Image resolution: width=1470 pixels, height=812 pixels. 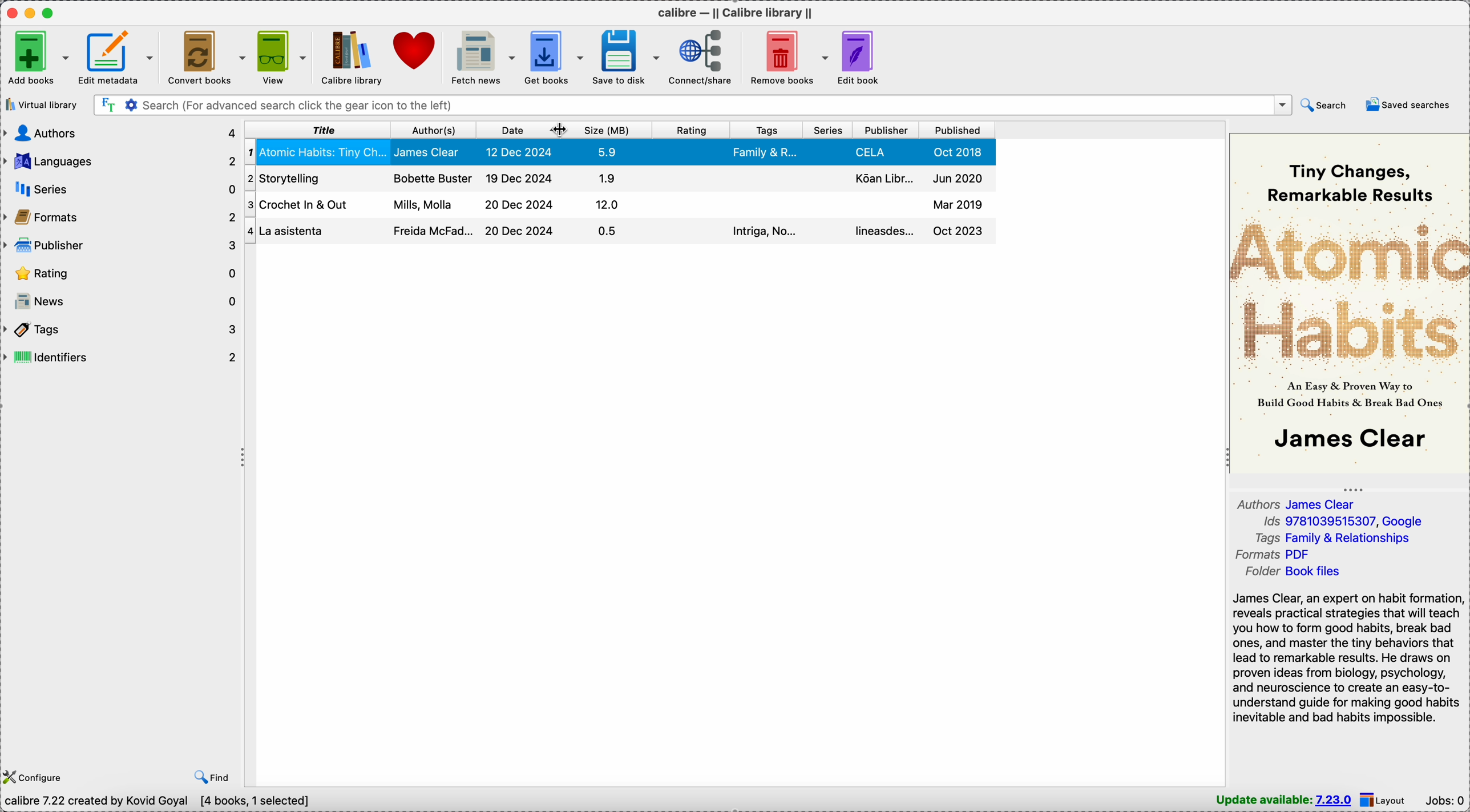 What do you see at coordinates (483, 58) in the screenshot?
I see `fetch news` at bounding box center [483, 58].